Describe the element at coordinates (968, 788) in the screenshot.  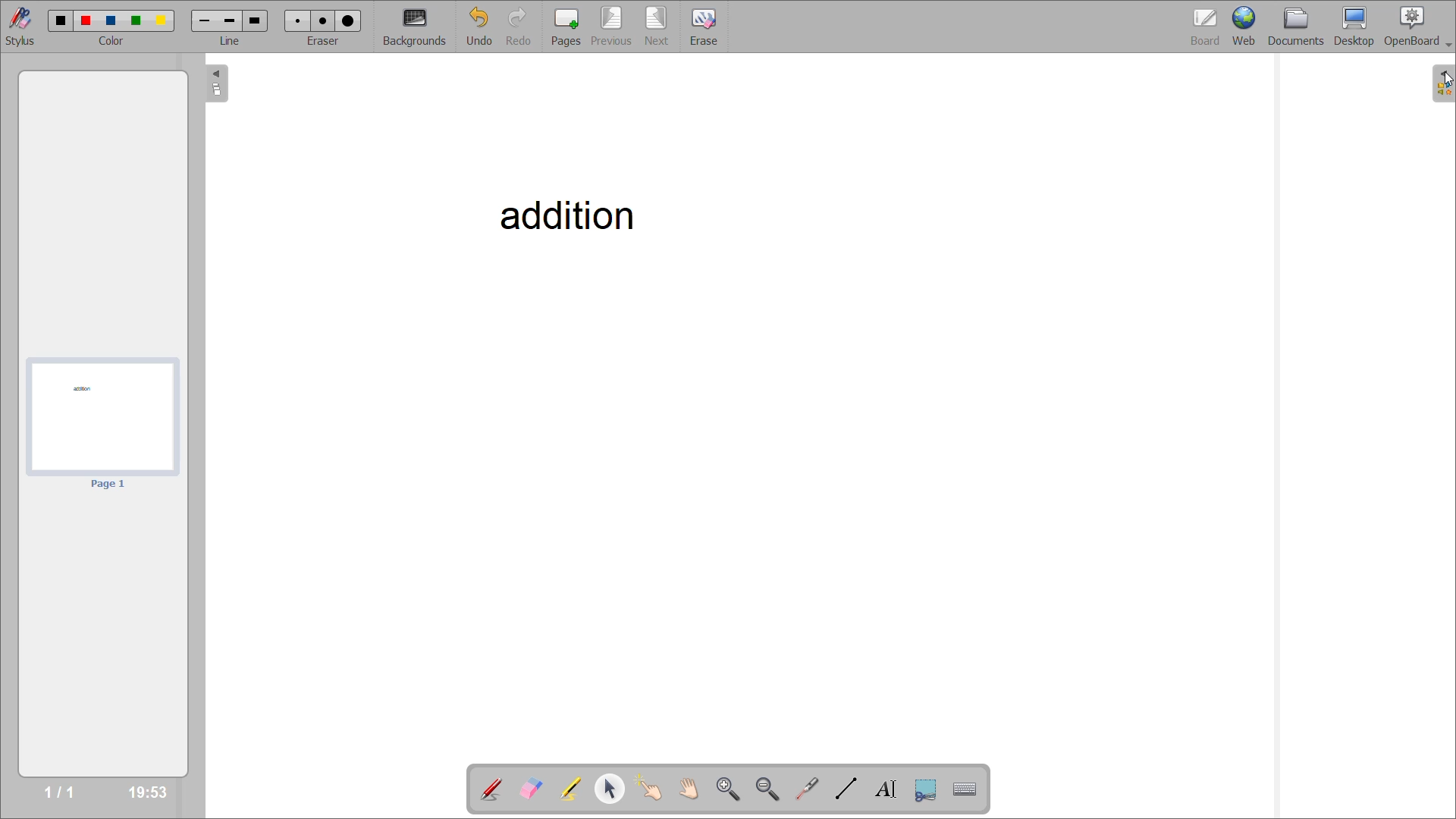
I see `display virtual keyboard` at that location.